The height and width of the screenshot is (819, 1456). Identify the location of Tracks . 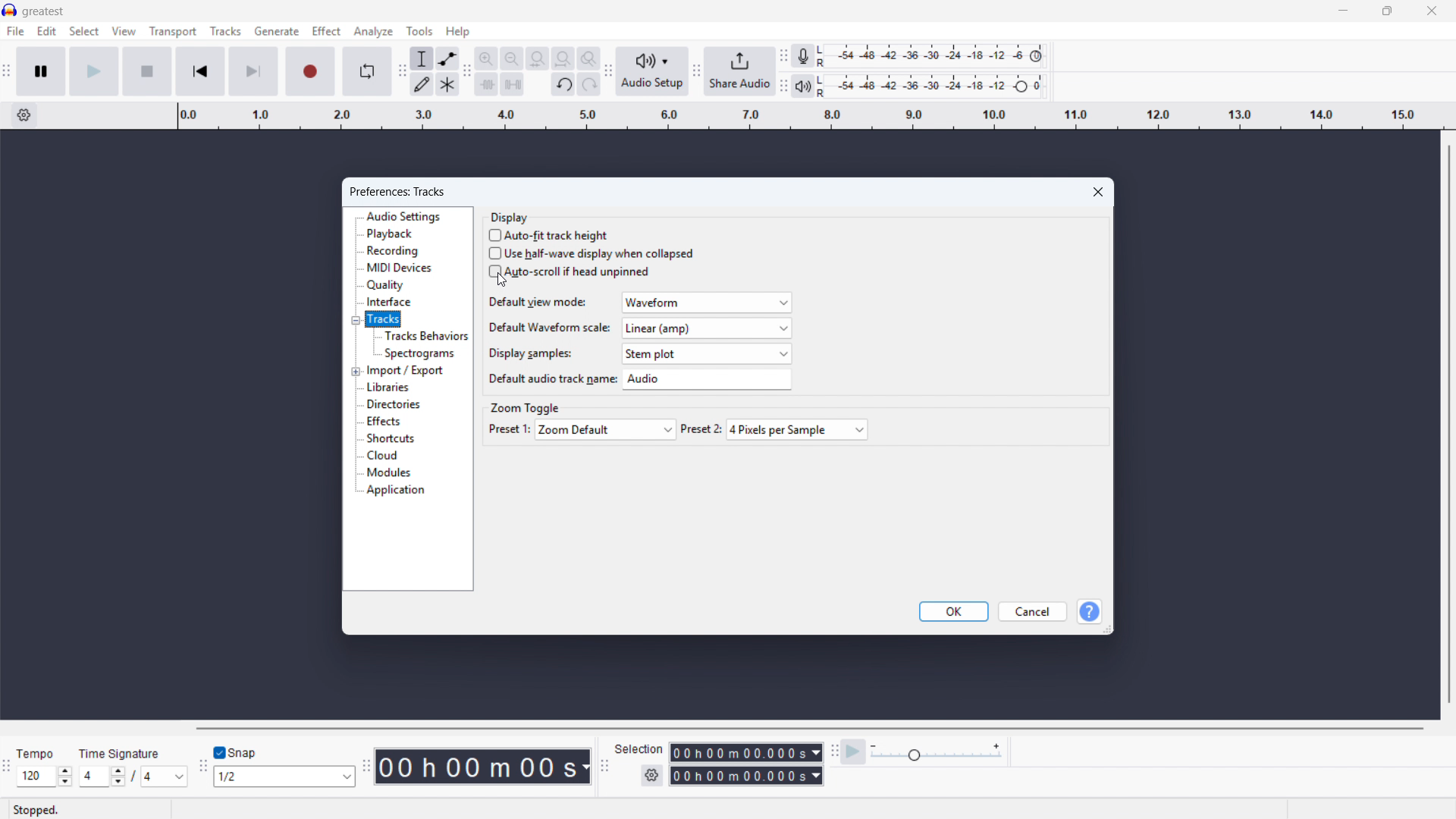
(226, 32).